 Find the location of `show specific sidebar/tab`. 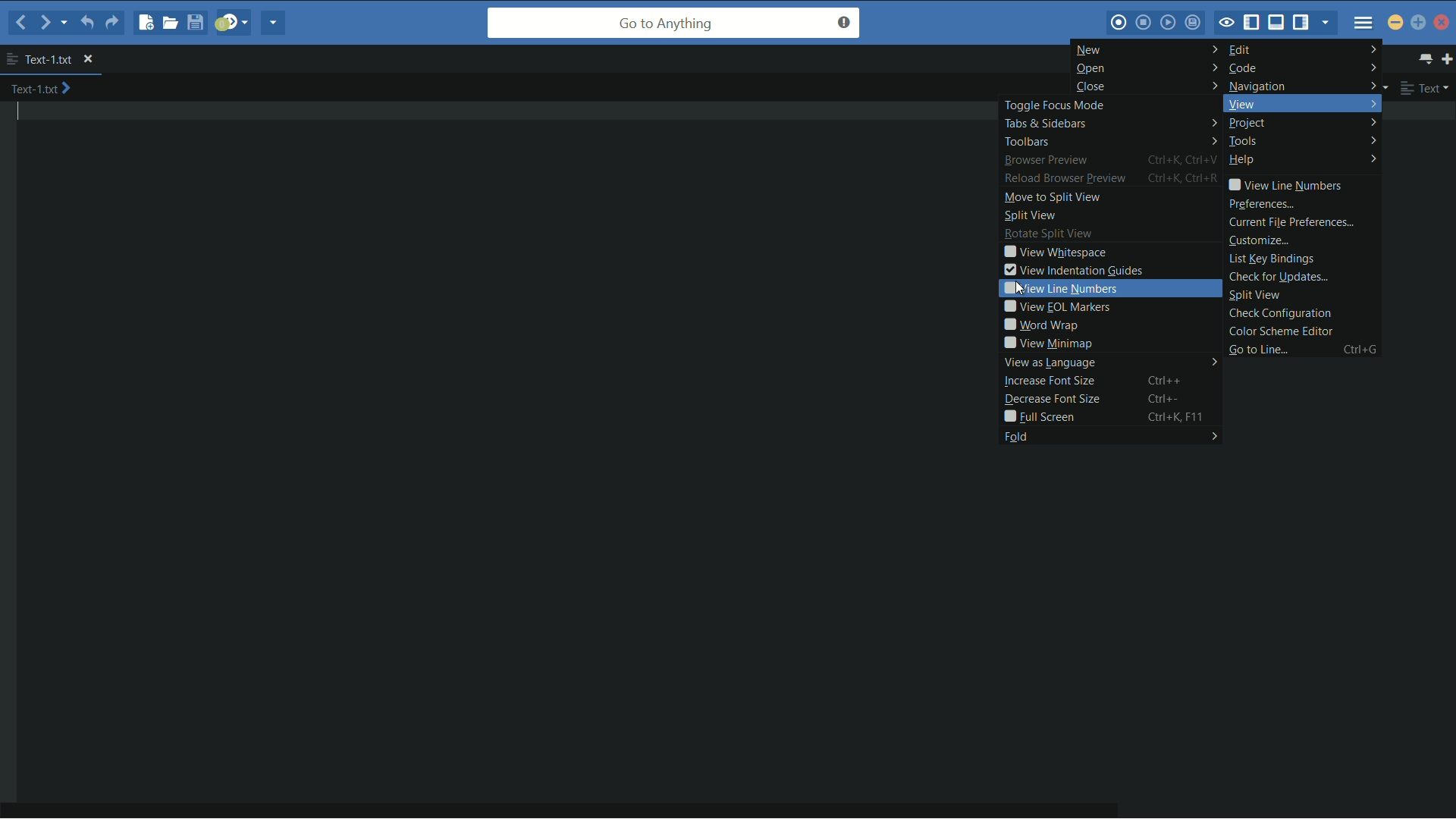

show specific sidebar/tab is located at coordinates (1329, 24).